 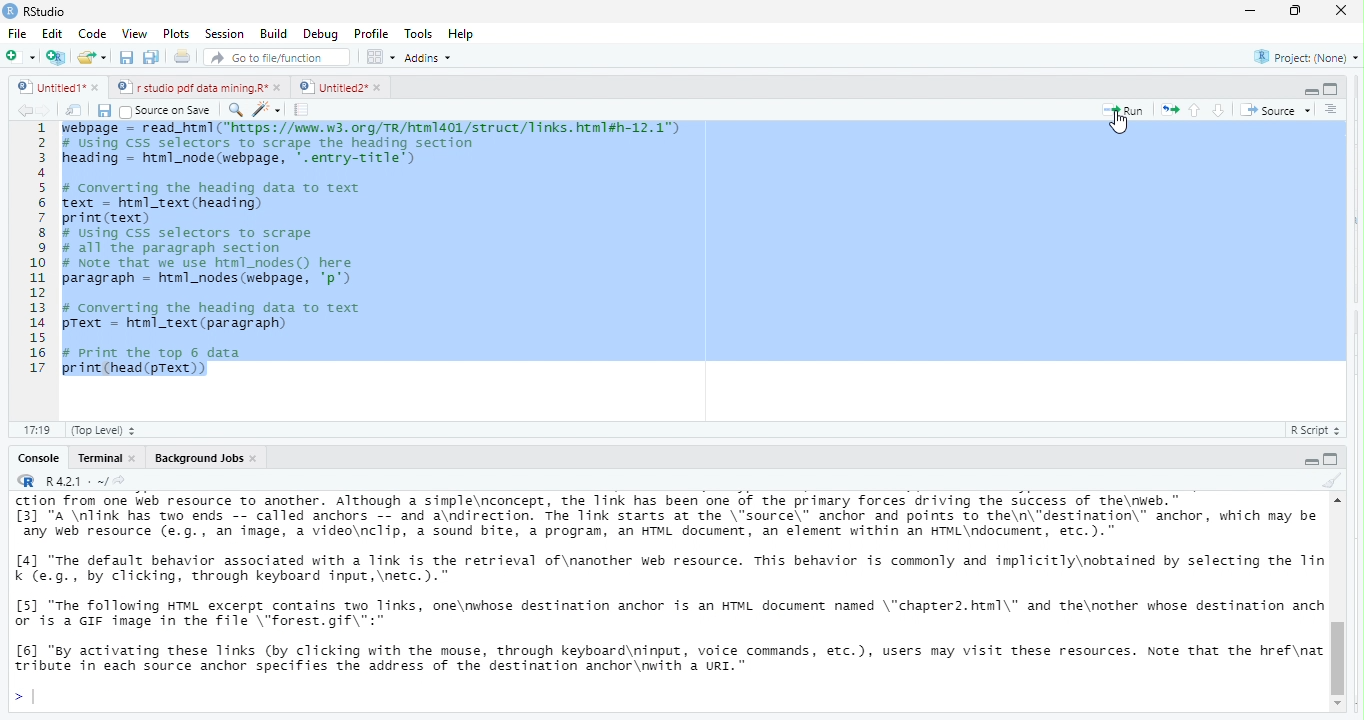 I want to click on hide r script, so click(x=1310, y=461).